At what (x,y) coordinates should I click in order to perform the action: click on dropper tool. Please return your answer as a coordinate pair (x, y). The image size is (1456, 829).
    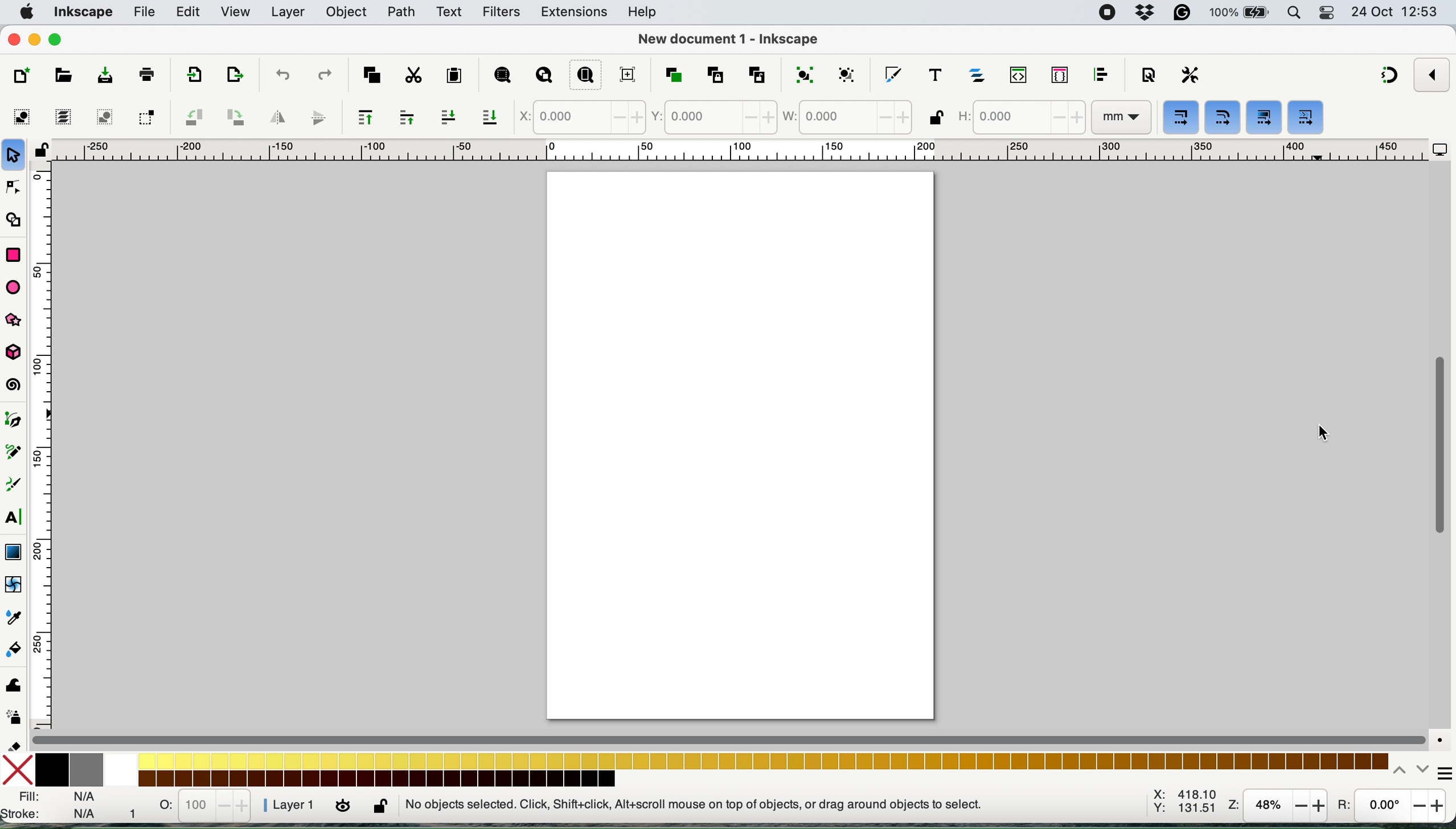
    Looking at the image, I should click on (14, 616).